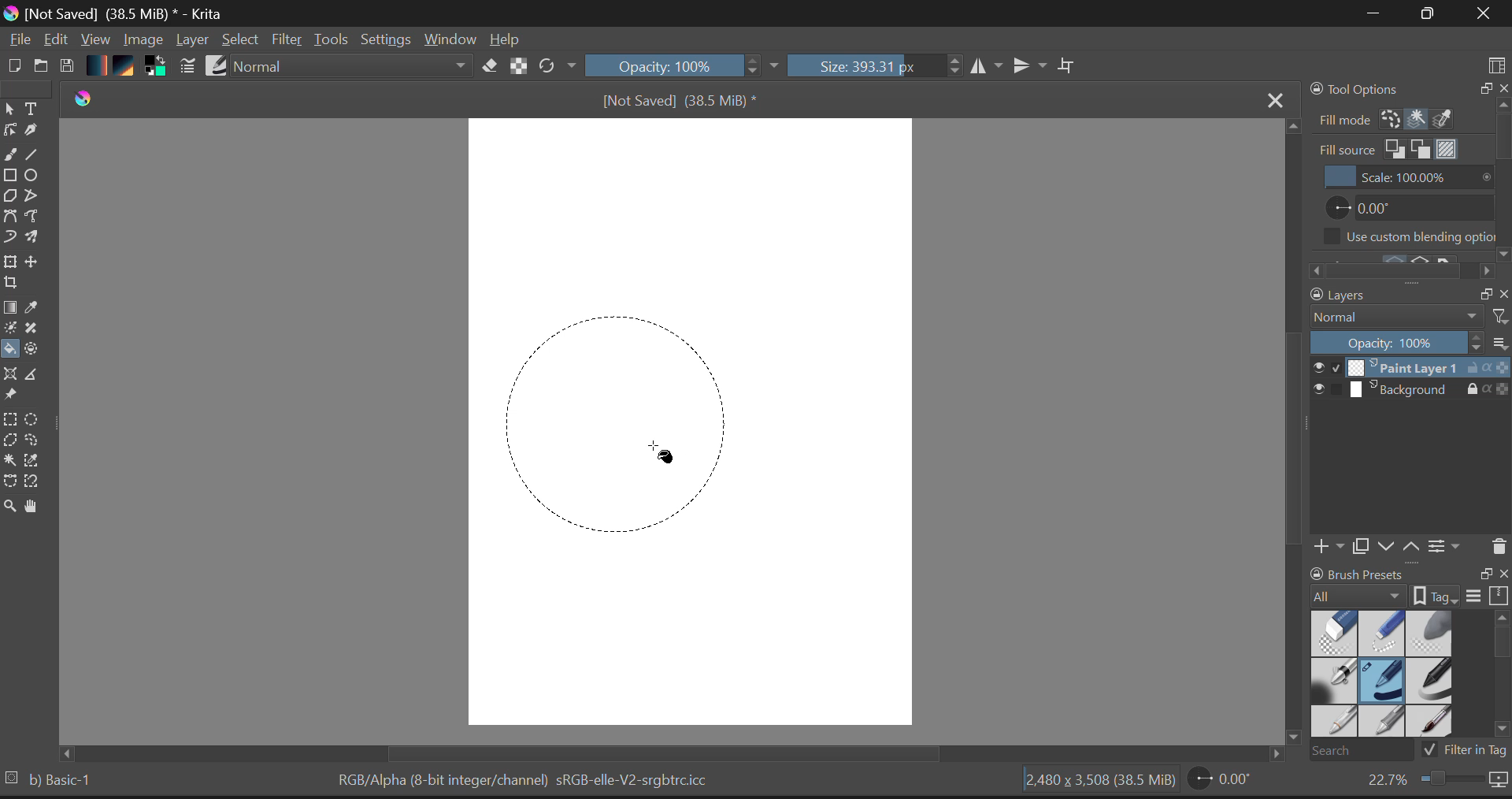 This screenshot has width=1512, height=799. Describe the element at coordinates (332, 39) in the screenshot. I see `Tools` at that location.